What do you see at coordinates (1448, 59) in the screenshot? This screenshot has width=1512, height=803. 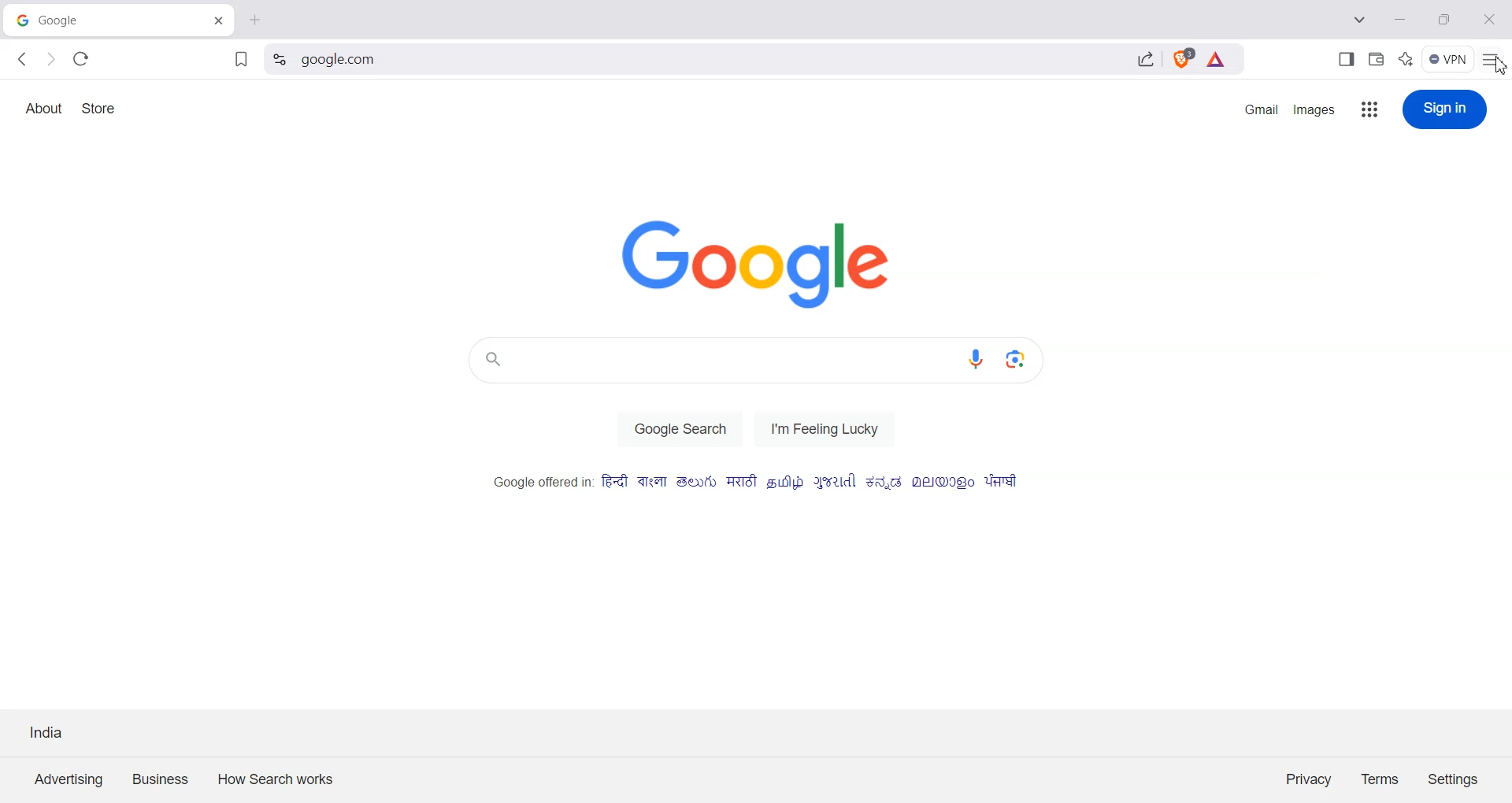 I see `` at bounding box center [1448, 59].